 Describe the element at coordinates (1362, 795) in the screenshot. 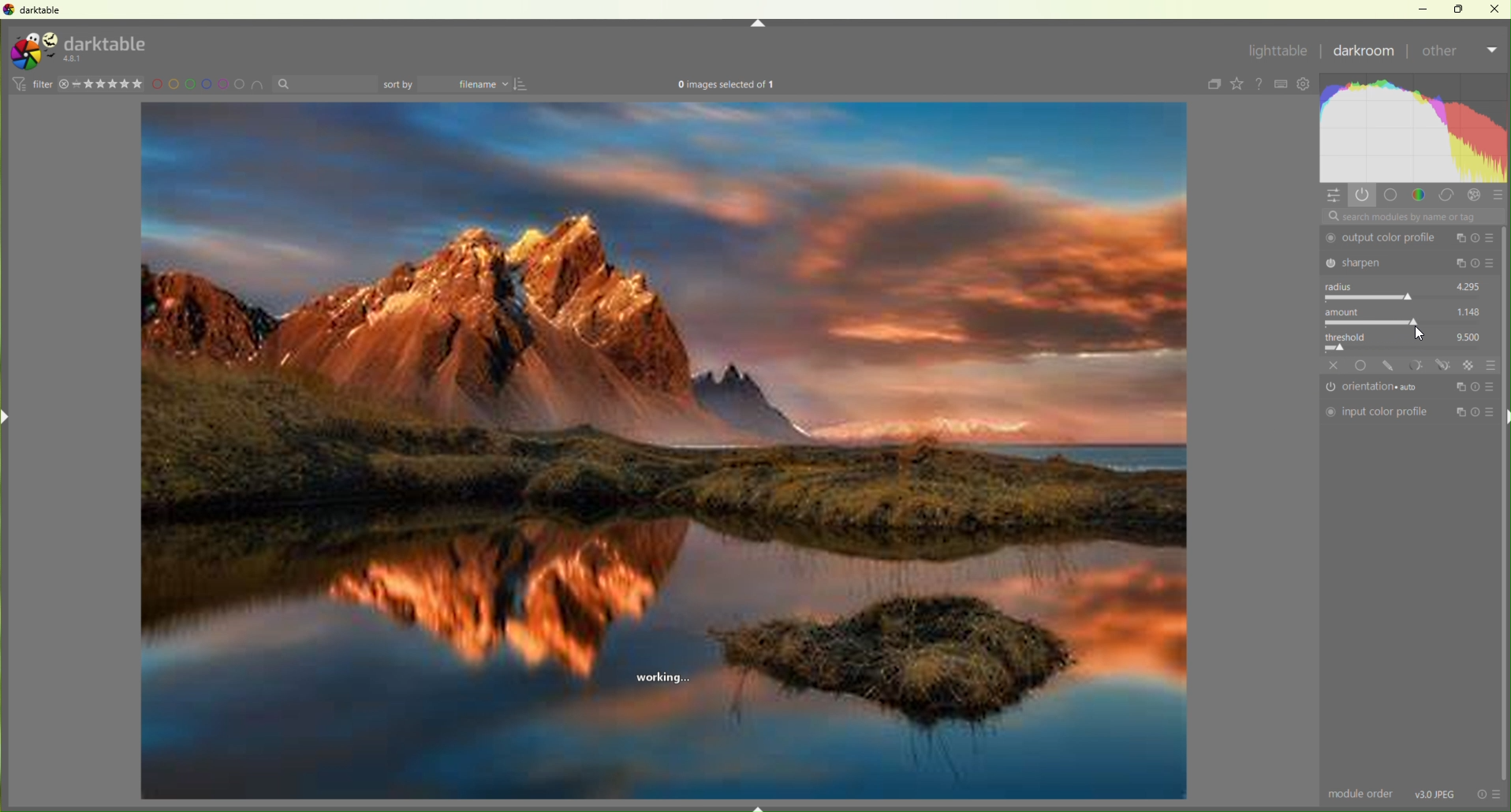

I see `module order` at that location.